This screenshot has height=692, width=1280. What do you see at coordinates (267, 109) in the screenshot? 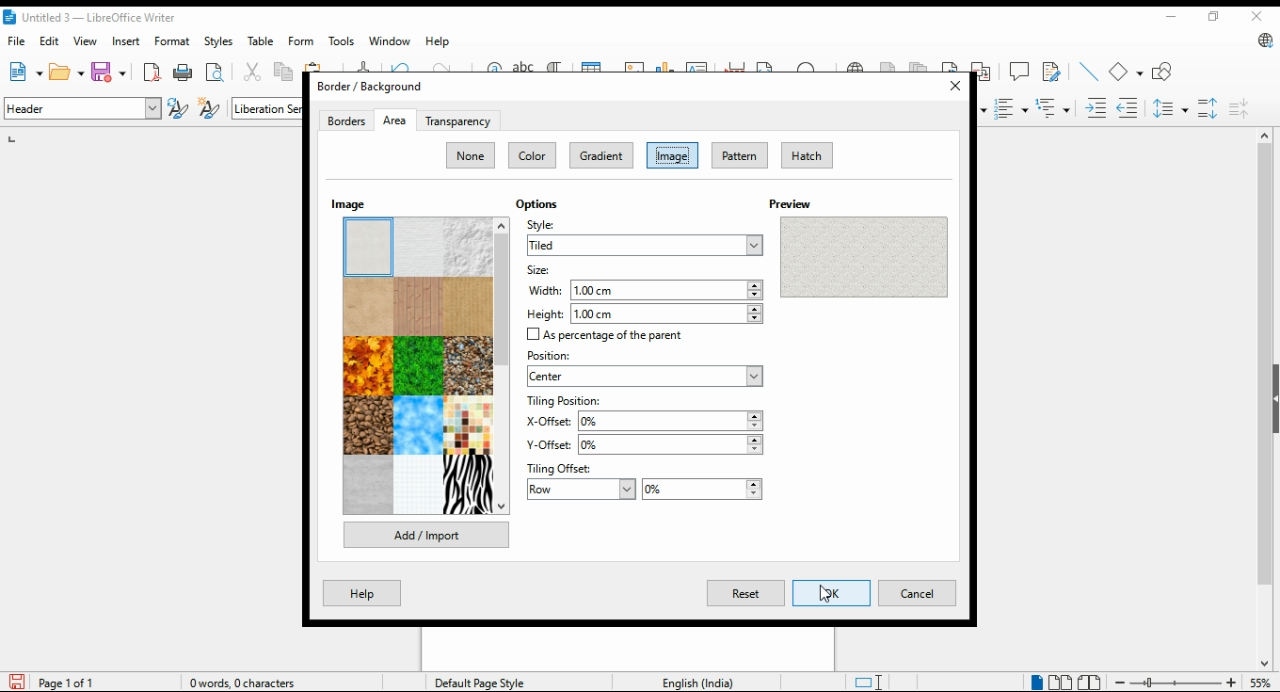
I see `font` at bounding box center [267, 109].